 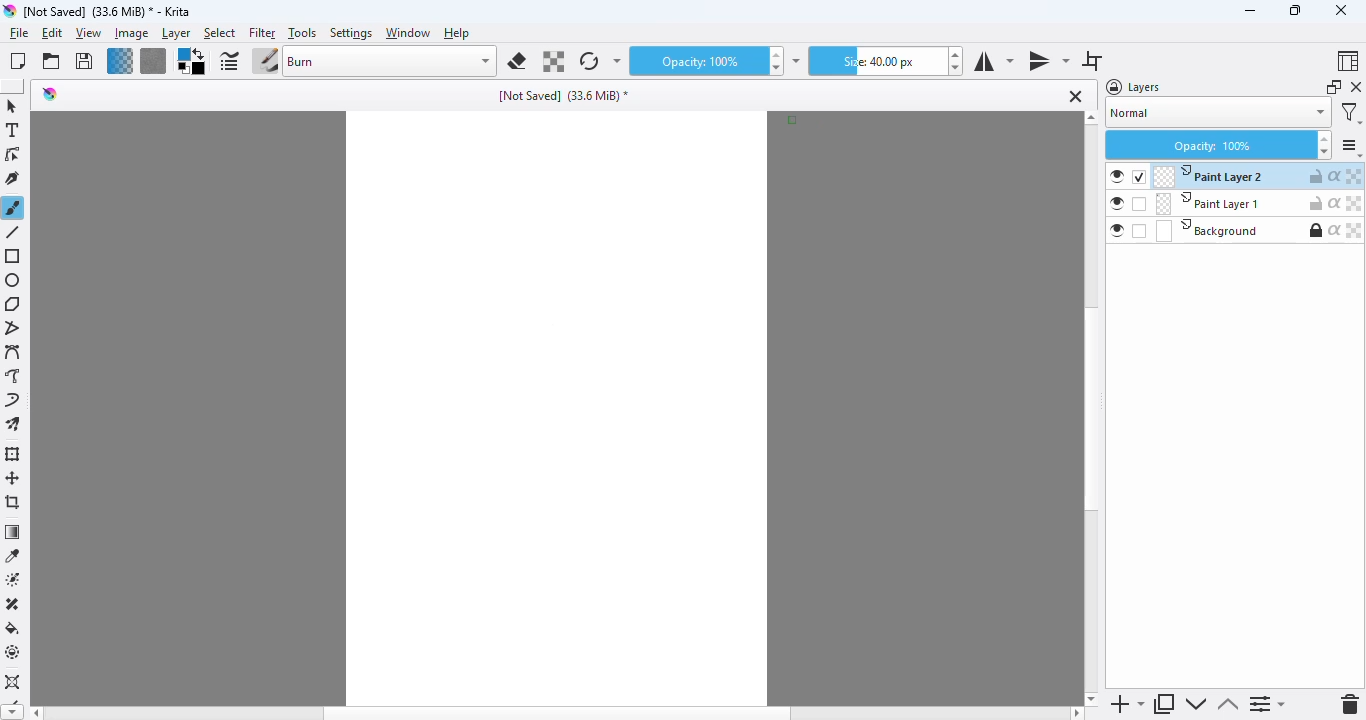 What do you see at coordinates (13, 178) in the screenshot?
I see `calligraphy` at bounding box center [13, 178].